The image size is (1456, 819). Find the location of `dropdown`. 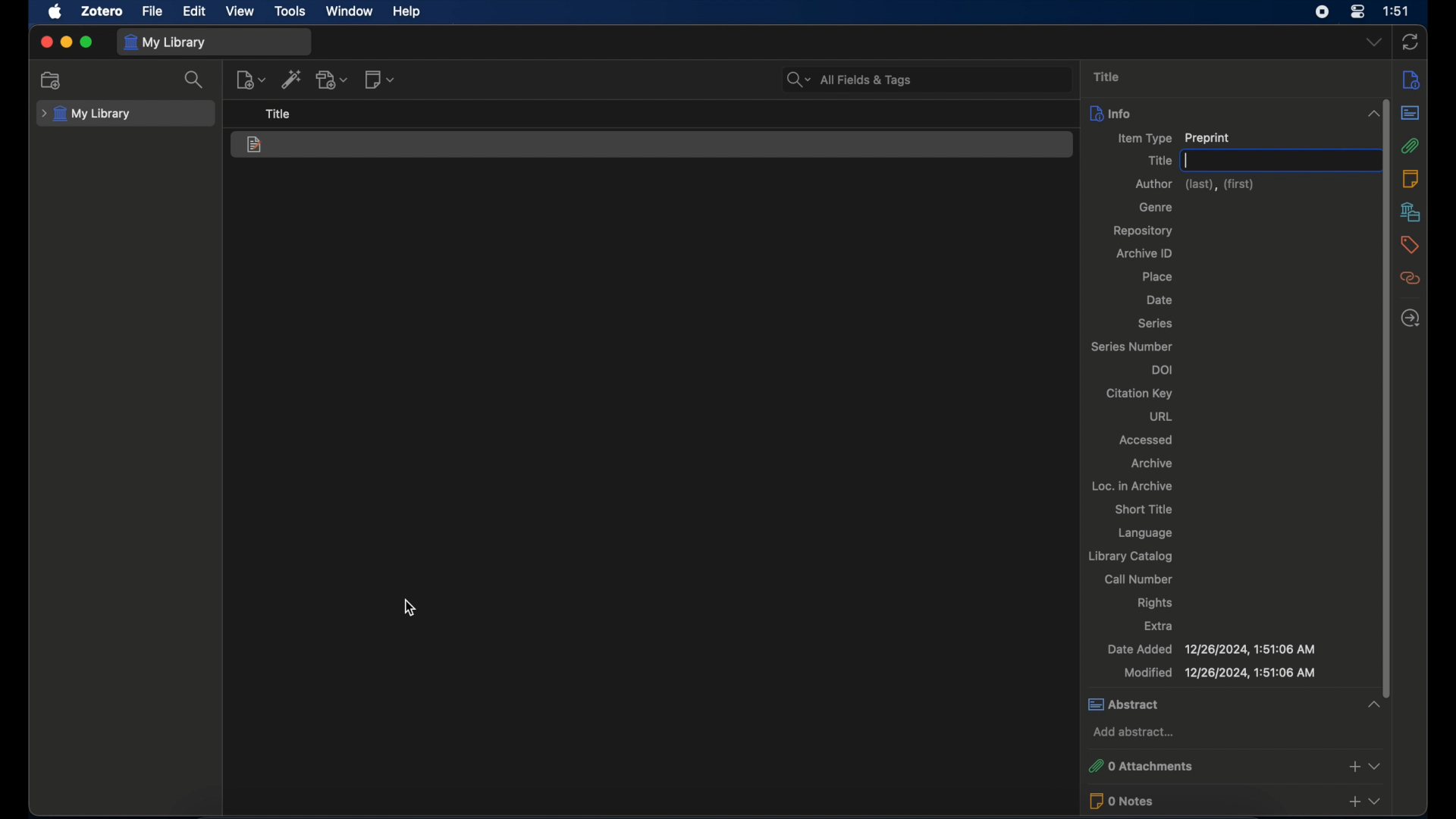

dropdown is located at coordinates (1373, 41).